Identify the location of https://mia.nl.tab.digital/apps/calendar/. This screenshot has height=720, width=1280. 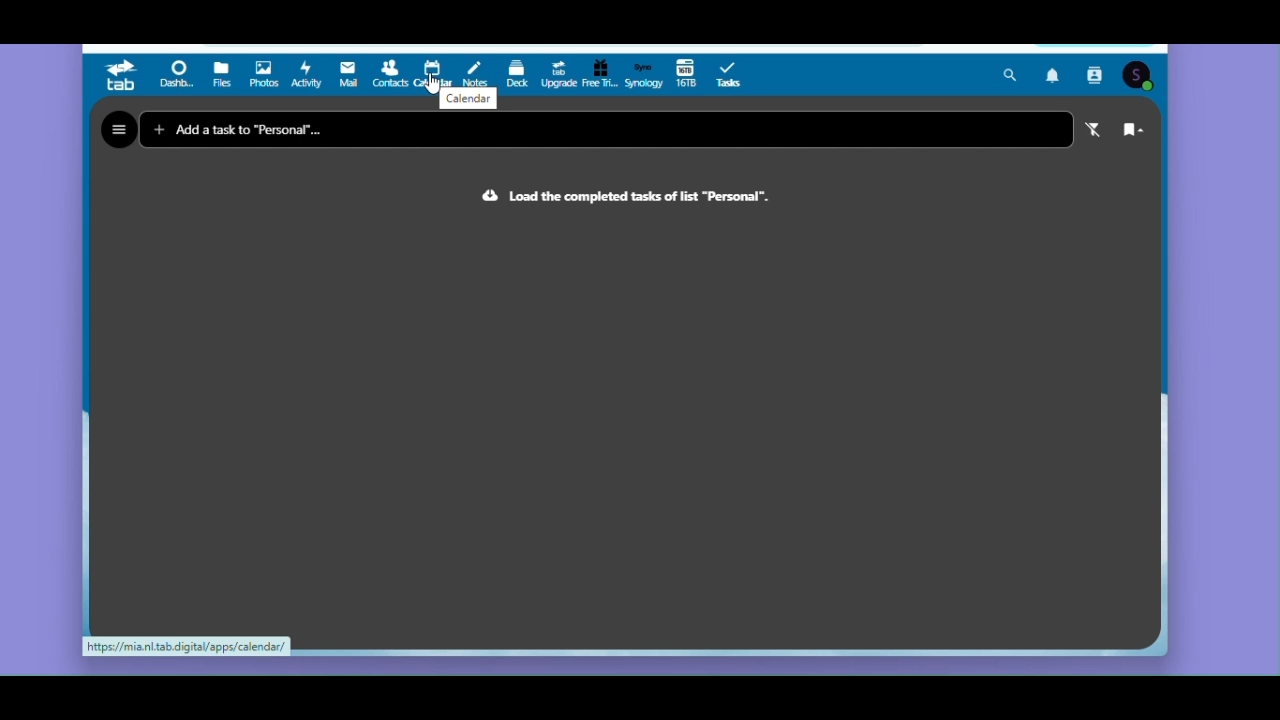
(187, 648).